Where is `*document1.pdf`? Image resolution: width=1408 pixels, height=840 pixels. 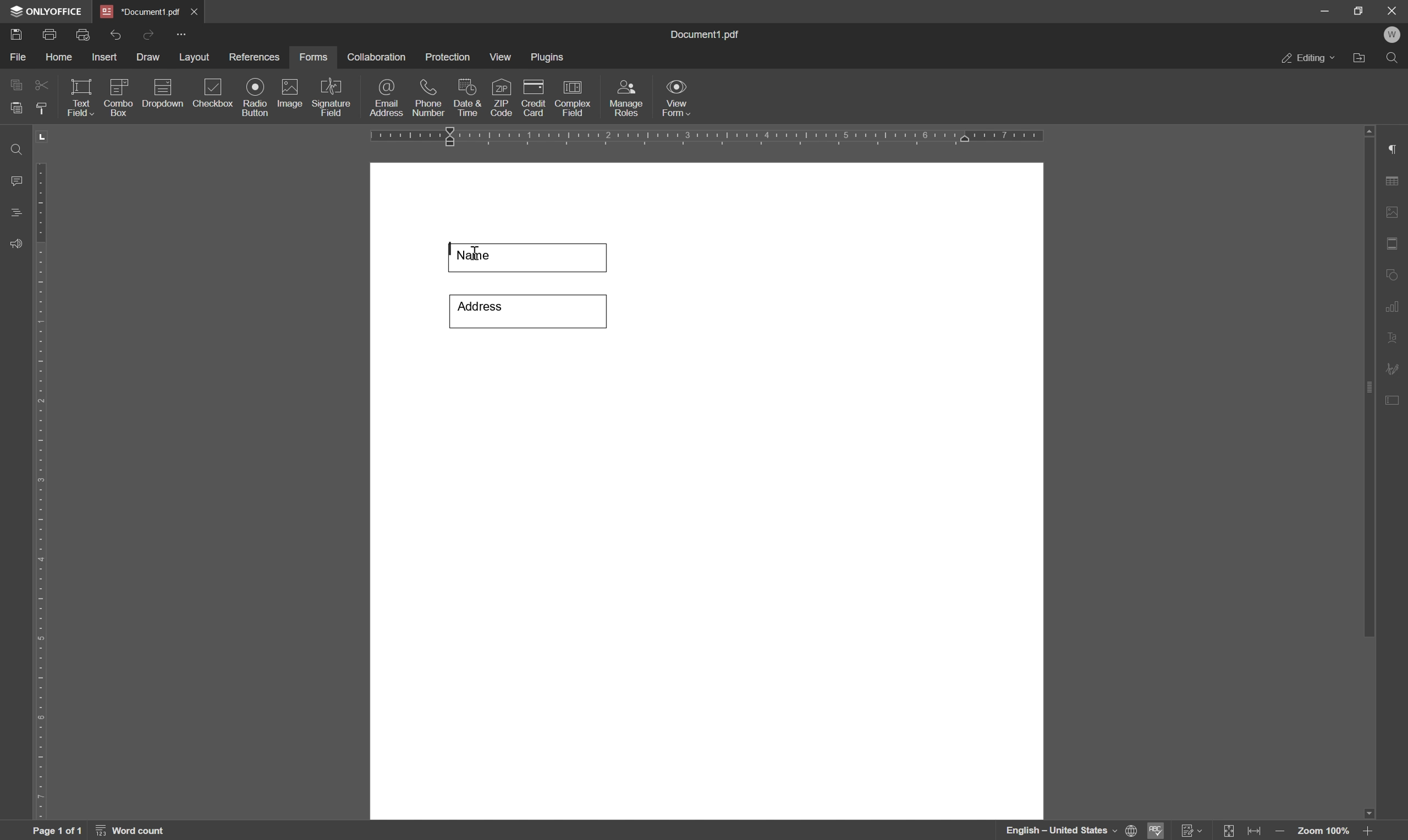
*document1.pdf is located at coordinates (140, 11).